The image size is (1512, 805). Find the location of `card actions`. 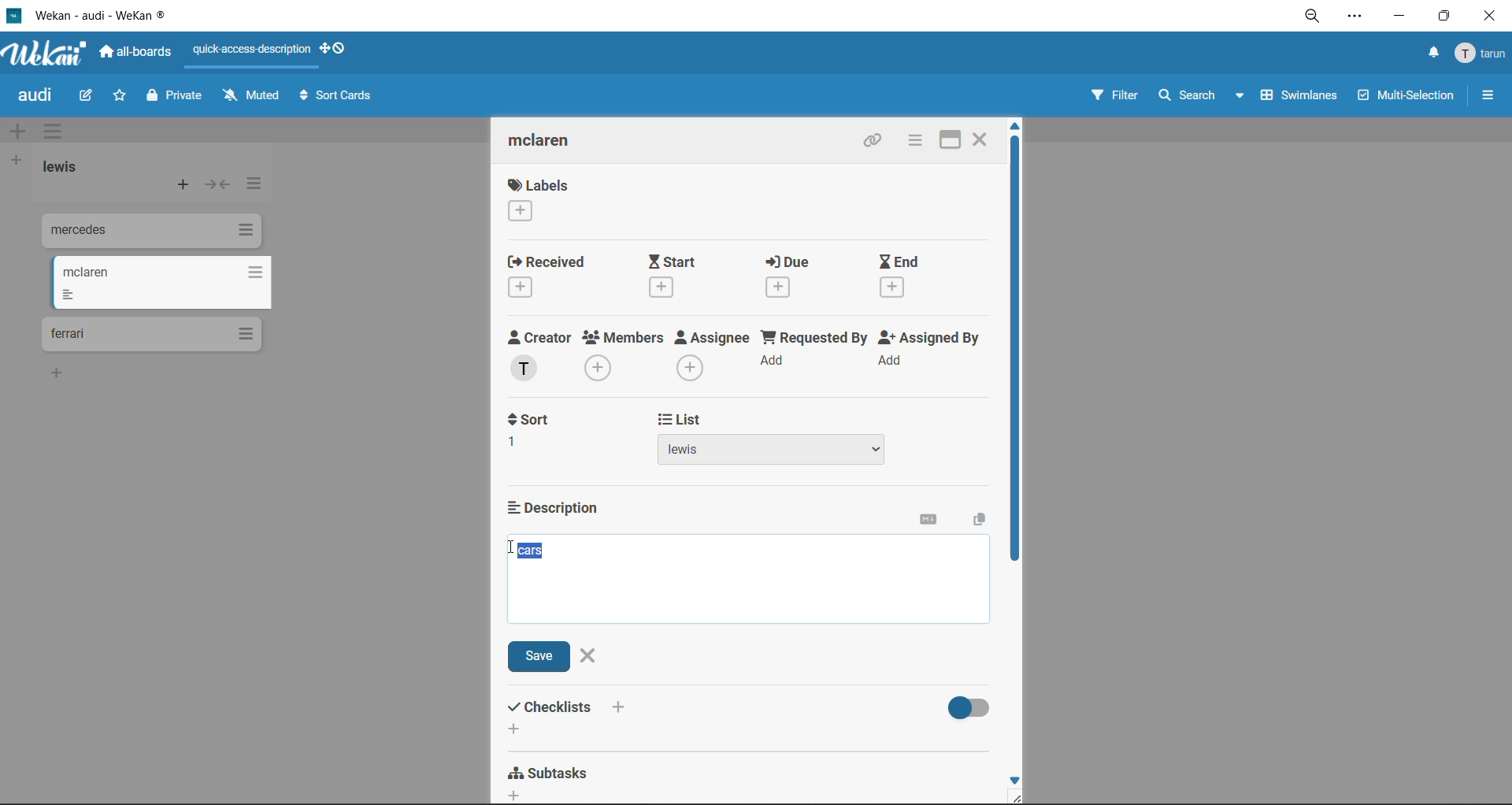

card actions is located at coordinates (914, 140).